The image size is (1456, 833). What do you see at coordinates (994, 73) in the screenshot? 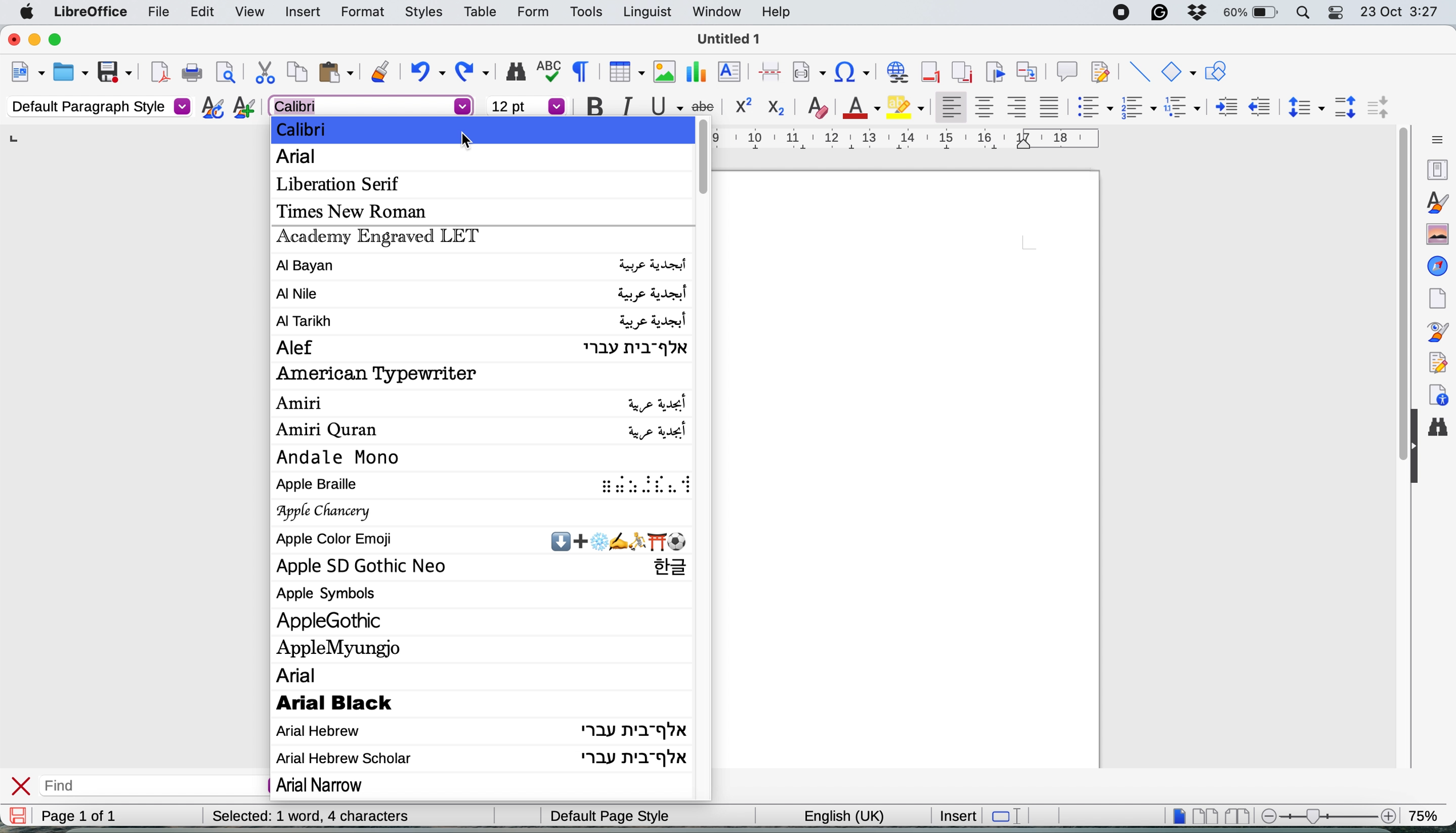
I see `insert bookmark` at bounding box center [994, 73].